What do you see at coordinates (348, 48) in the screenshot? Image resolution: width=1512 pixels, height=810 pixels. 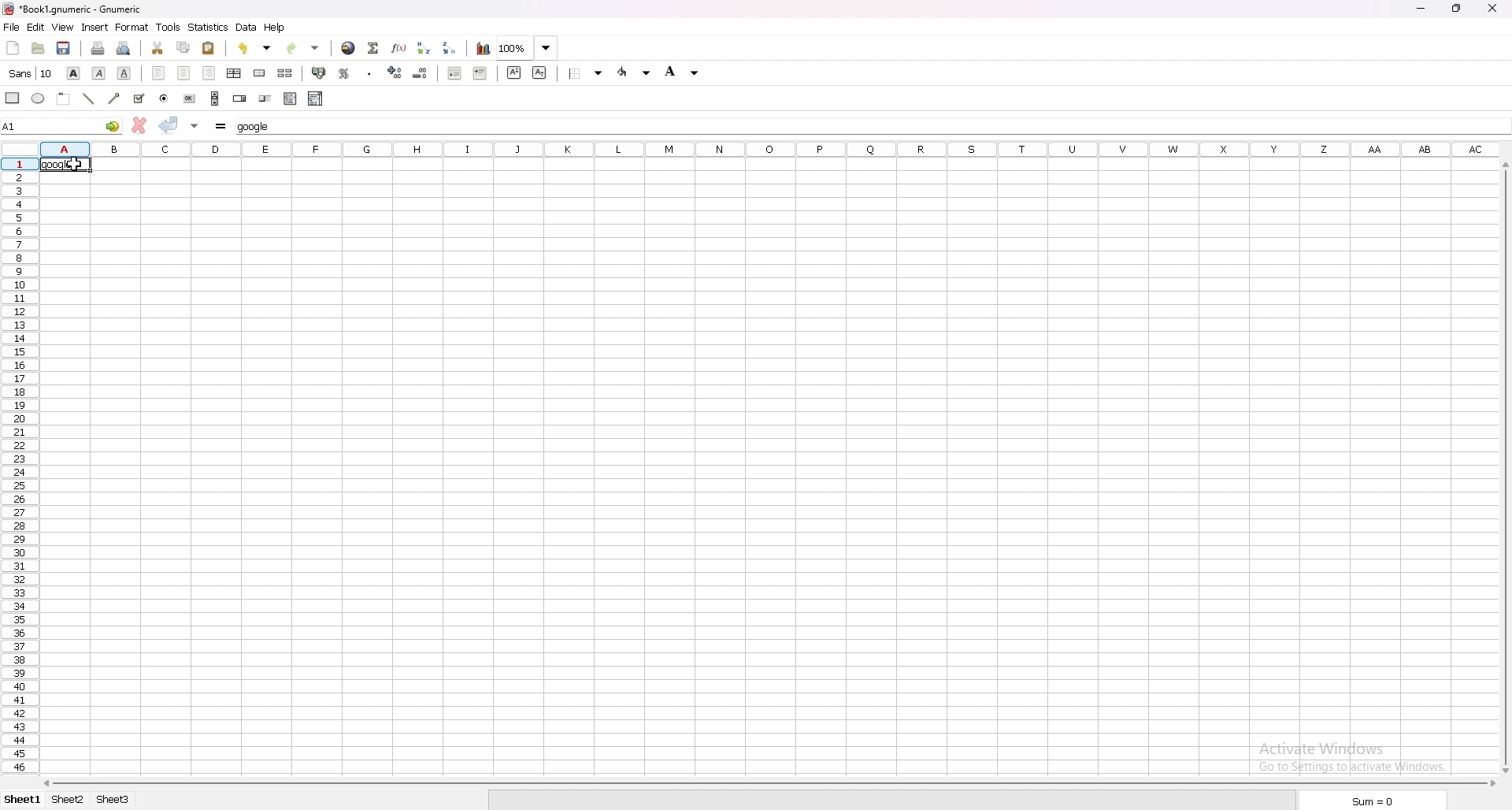 I see `hyperlink` at bounding box center [348, 48].